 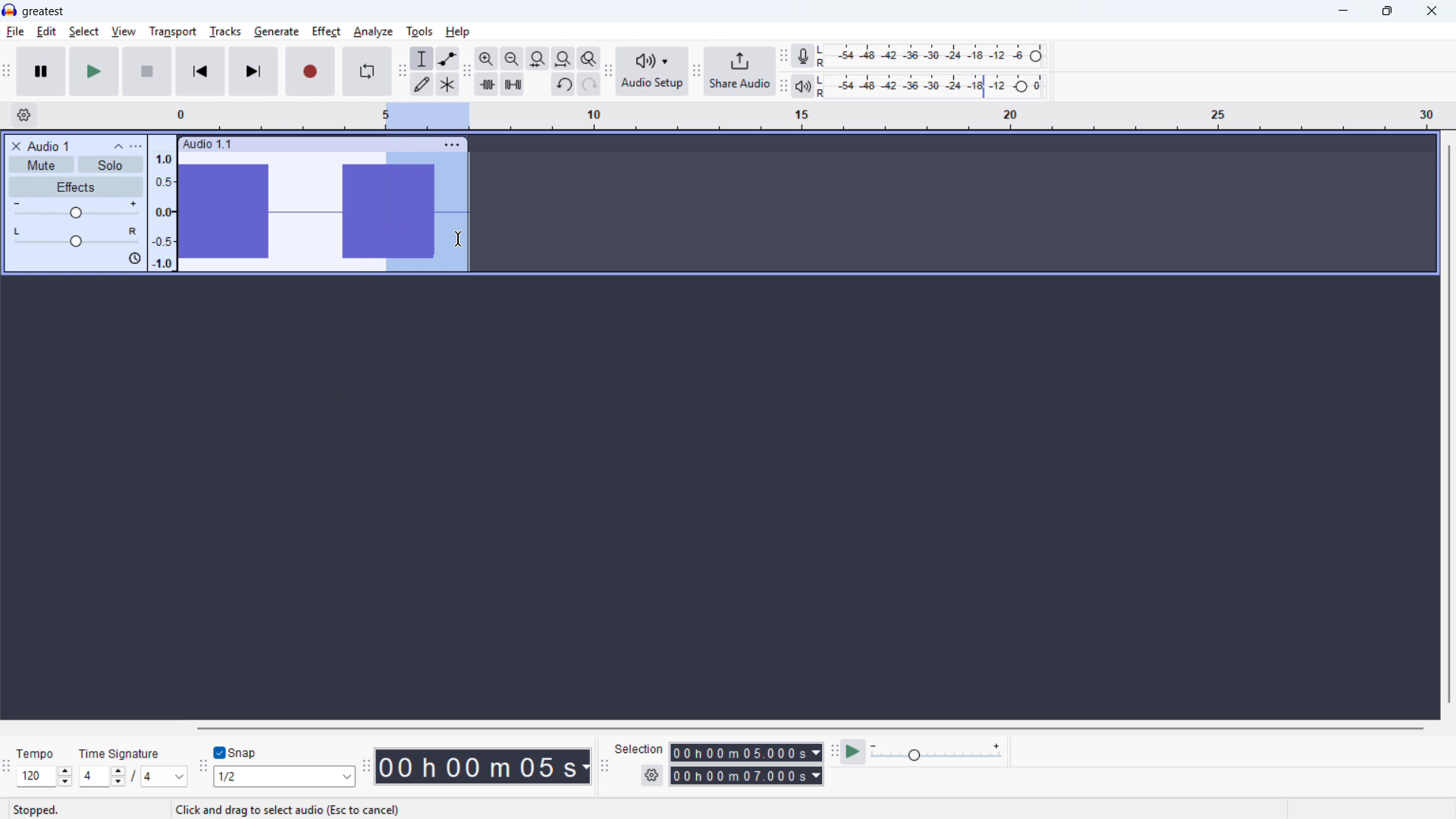 I want to click on analyse, so click(x=372, y=33).